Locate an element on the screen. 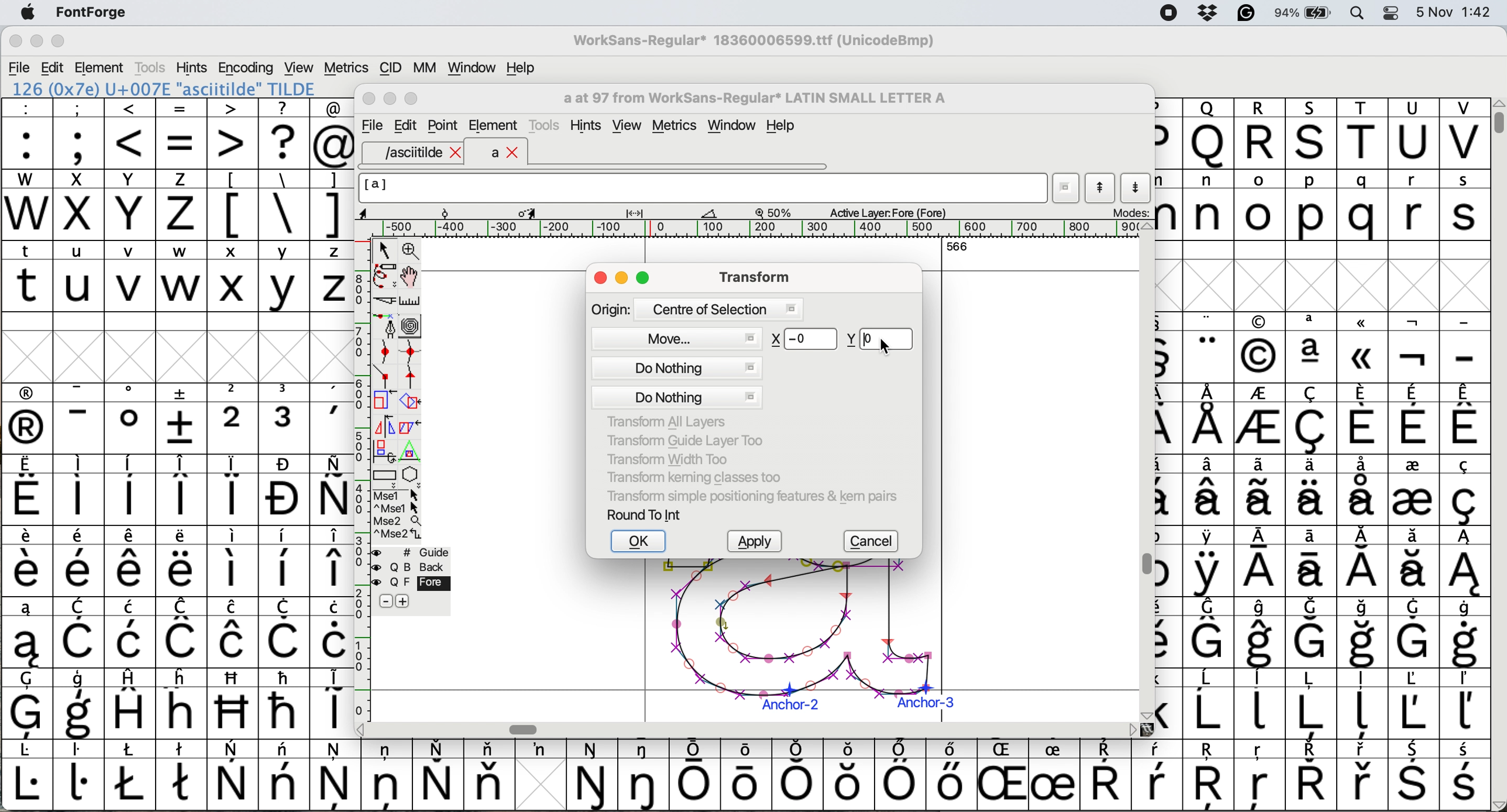 The width and height of the screenshot is (1507, 812). symbol is located at coordinates (285, 632).